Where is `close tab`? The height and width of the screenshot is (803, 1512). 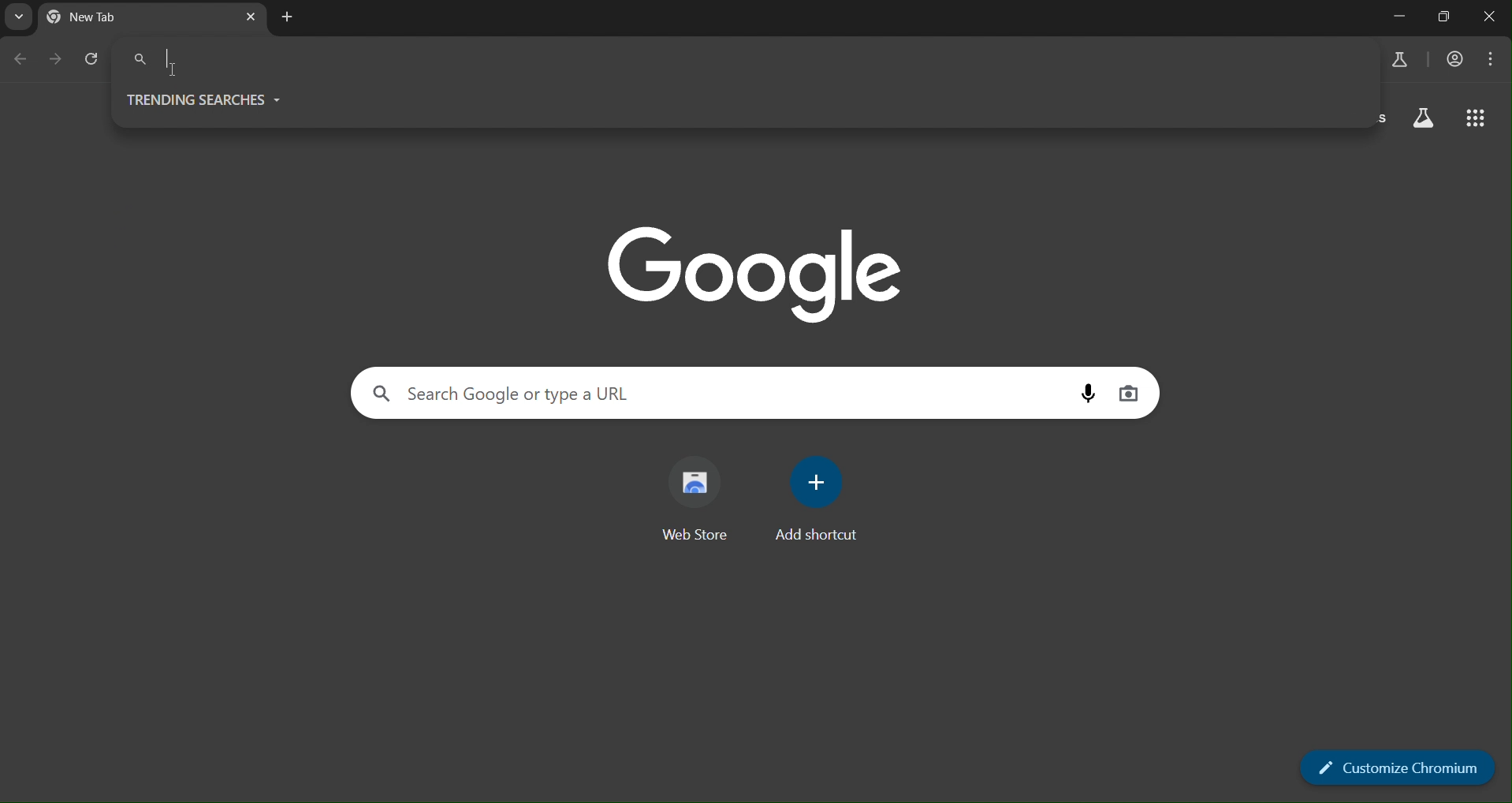 close tab is located at coordinates (249, 16).